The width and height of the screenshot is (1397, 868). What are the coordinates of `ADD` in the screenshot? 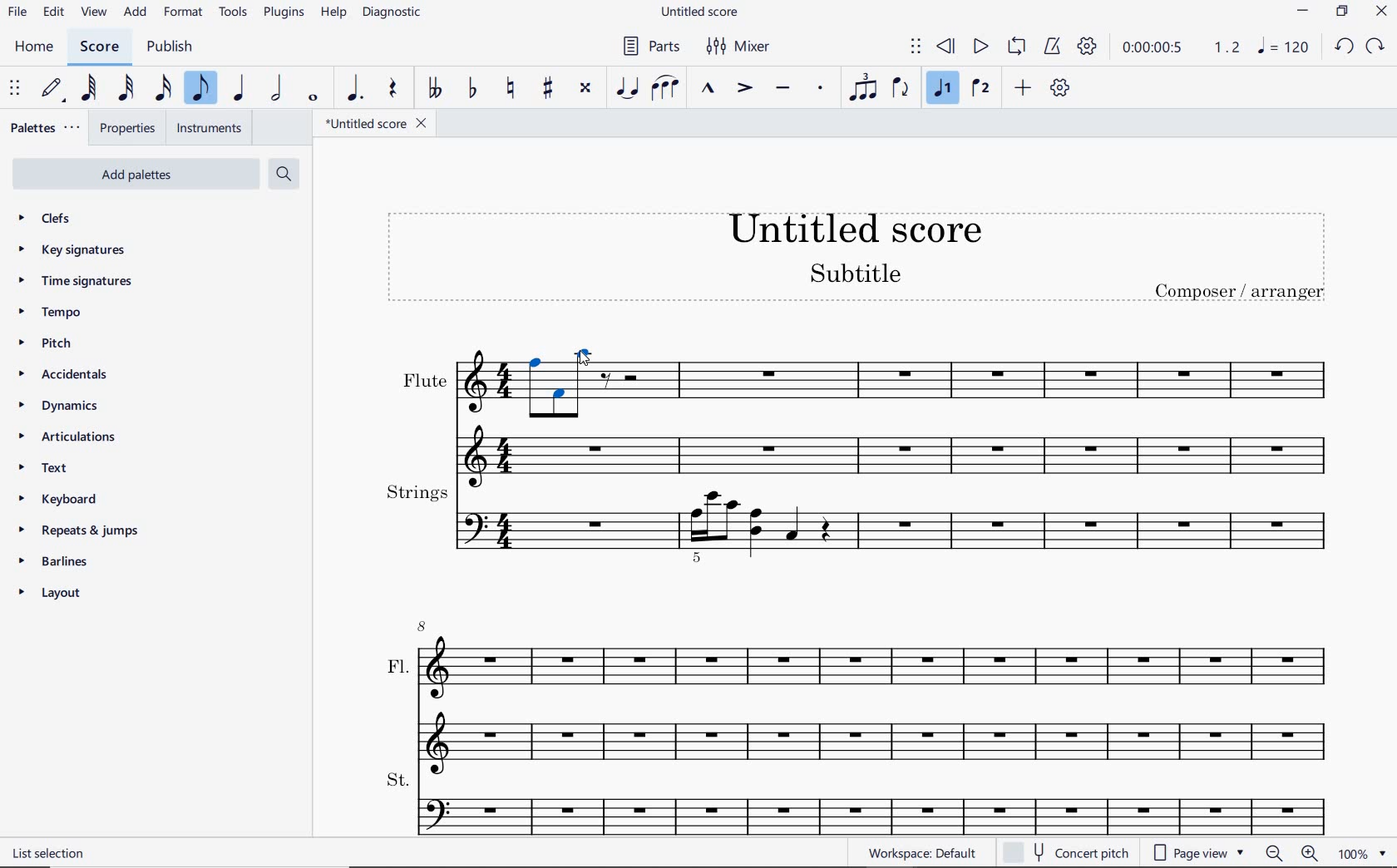 It's located at (1024, 88).